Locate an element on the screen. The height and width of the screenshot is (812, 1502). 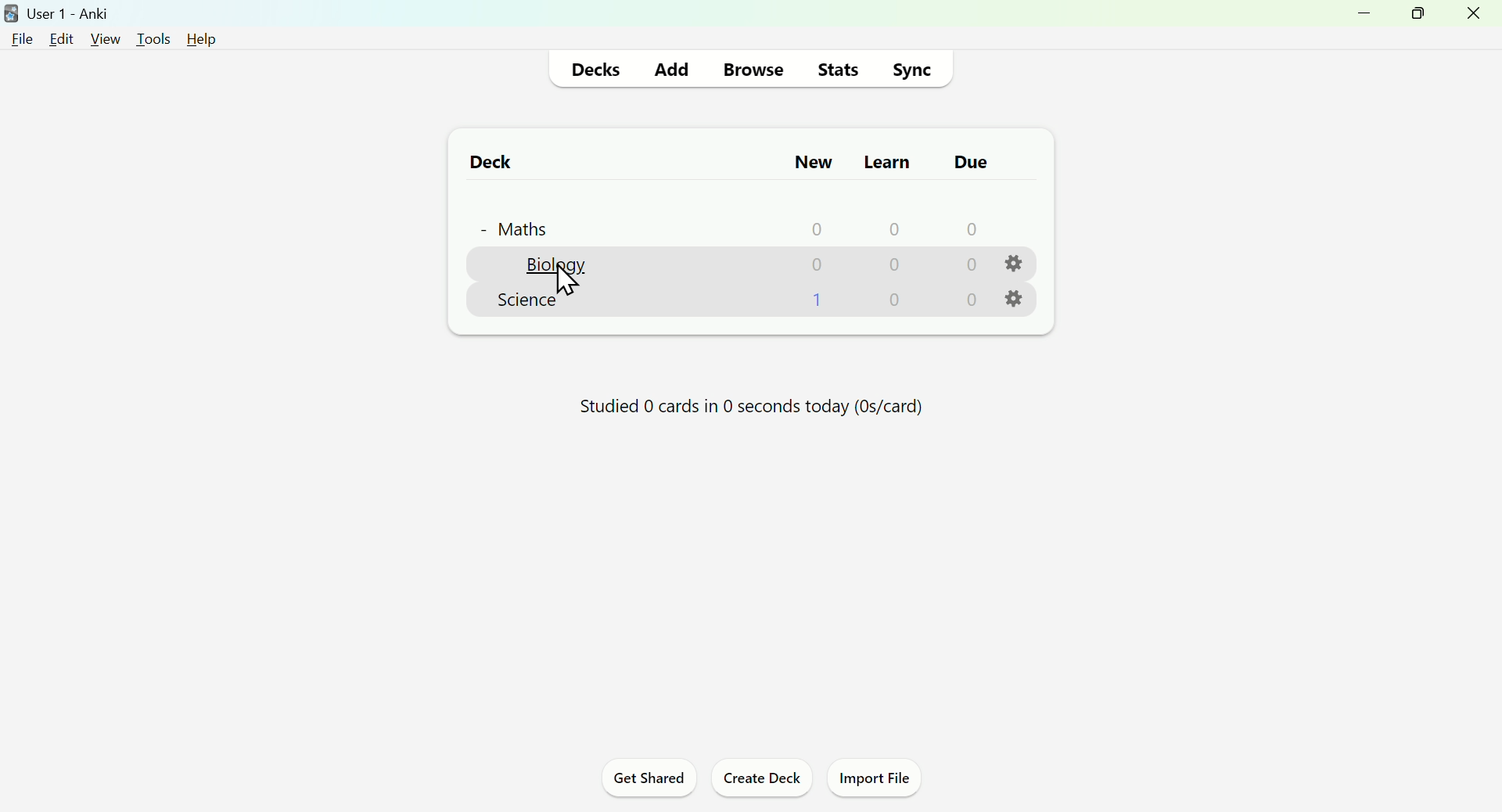
View is located at coordinates (104, 38).